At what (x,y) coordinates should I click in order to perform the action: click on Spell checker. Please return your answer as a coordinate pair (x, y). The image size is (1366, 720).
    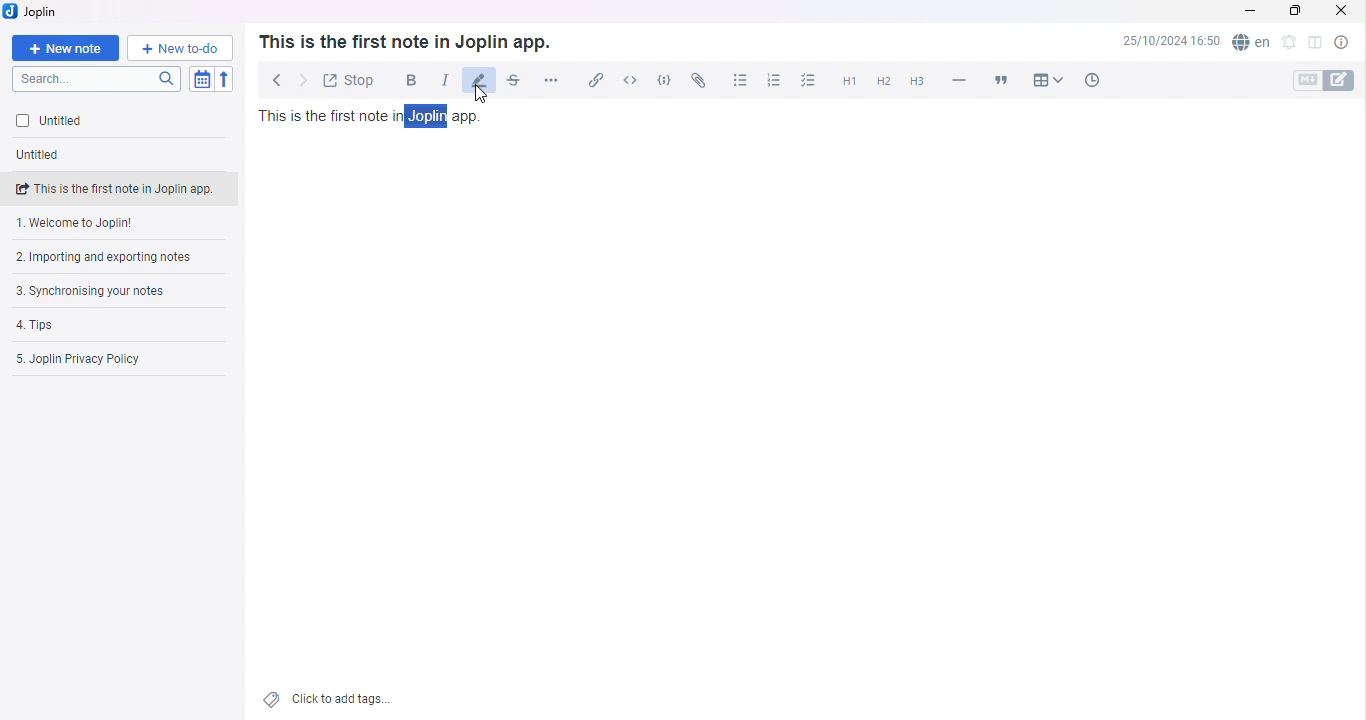
    Looking at the image, I should click on (1250, 45).